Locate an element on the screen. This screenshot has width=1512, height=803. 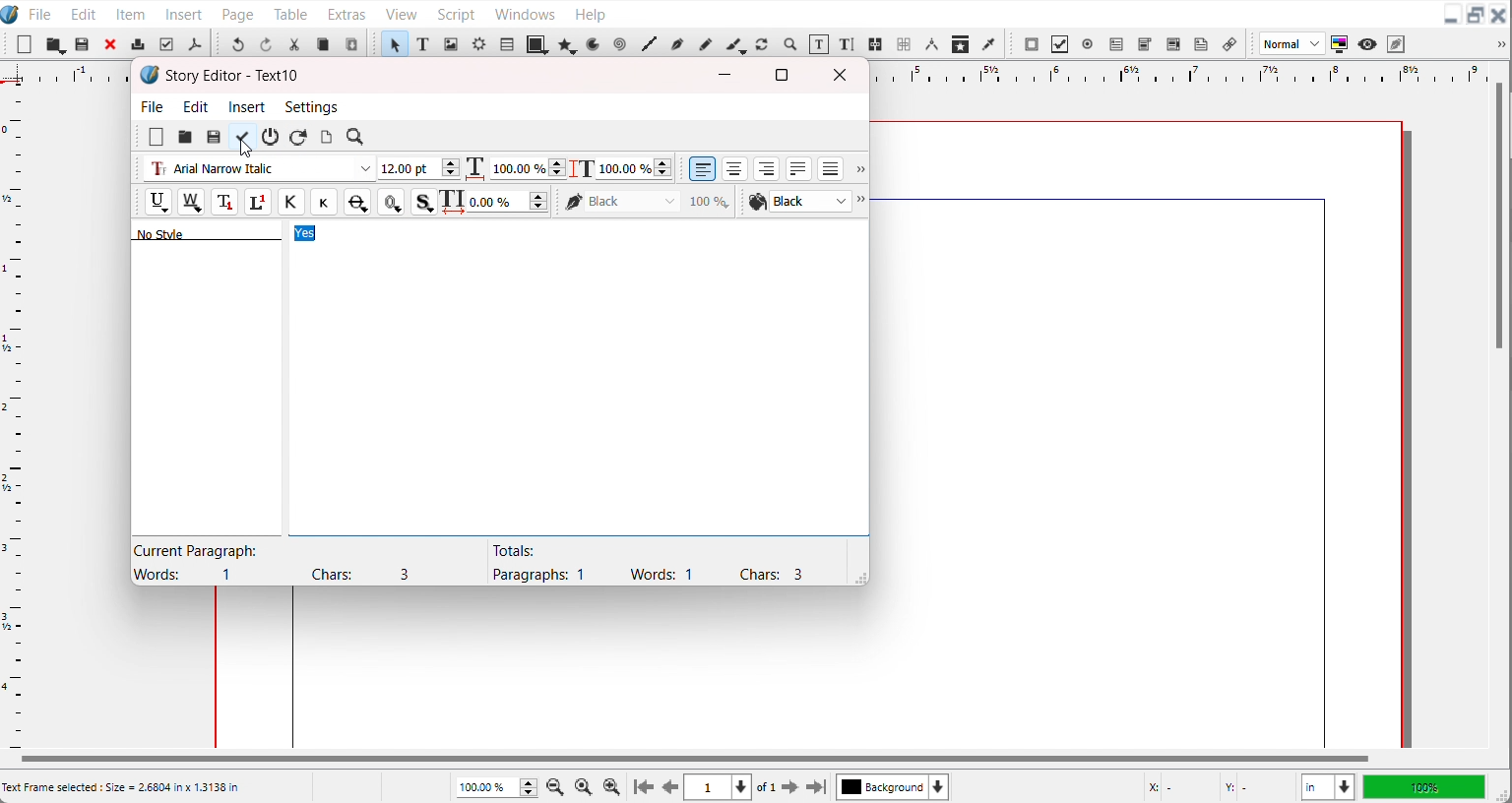
Exit without updating is located at coordinates (271, 137).